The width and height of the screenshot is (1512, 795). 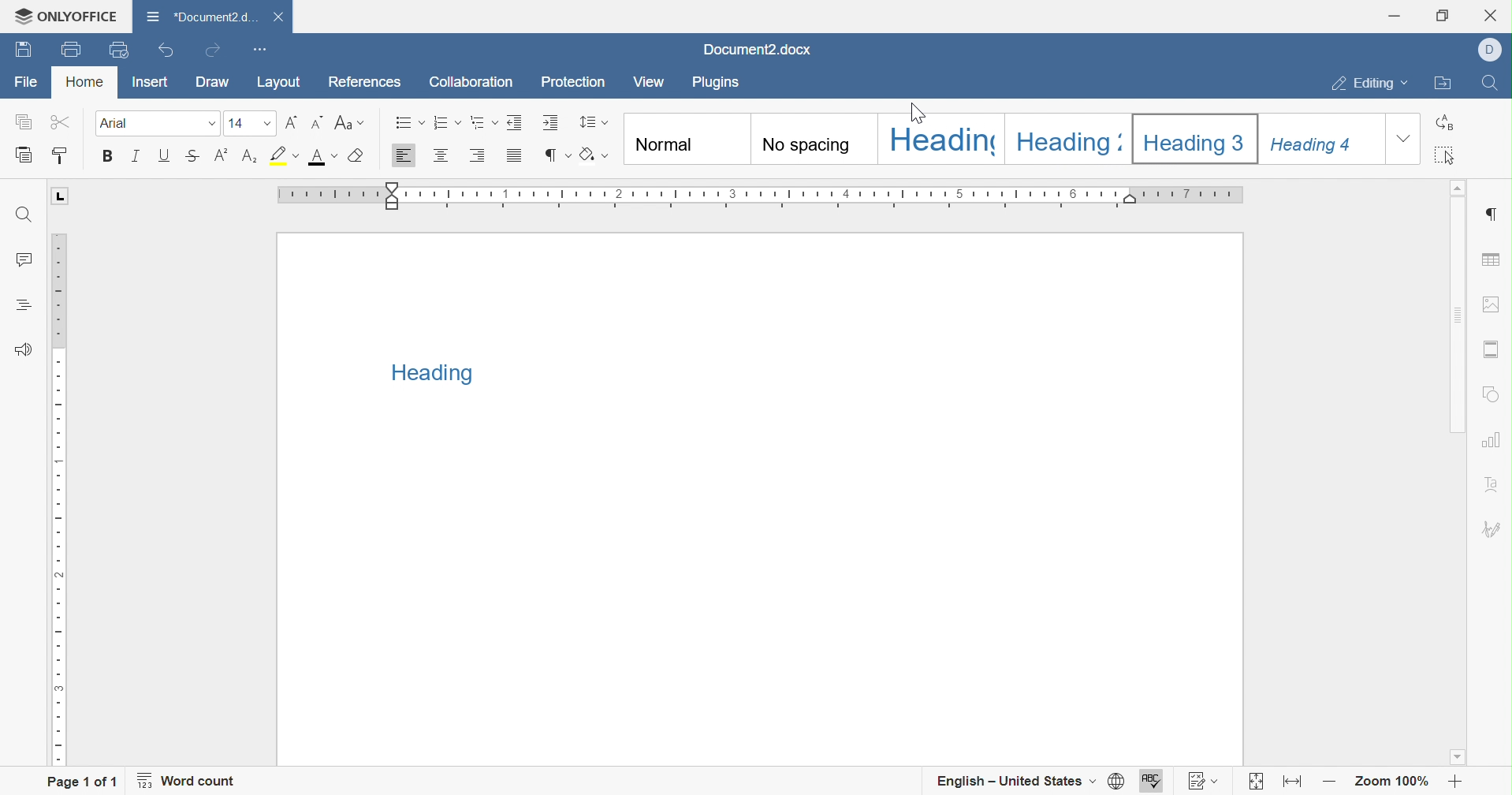 I want to click on Document2.docx, so click(x=754, y=50).